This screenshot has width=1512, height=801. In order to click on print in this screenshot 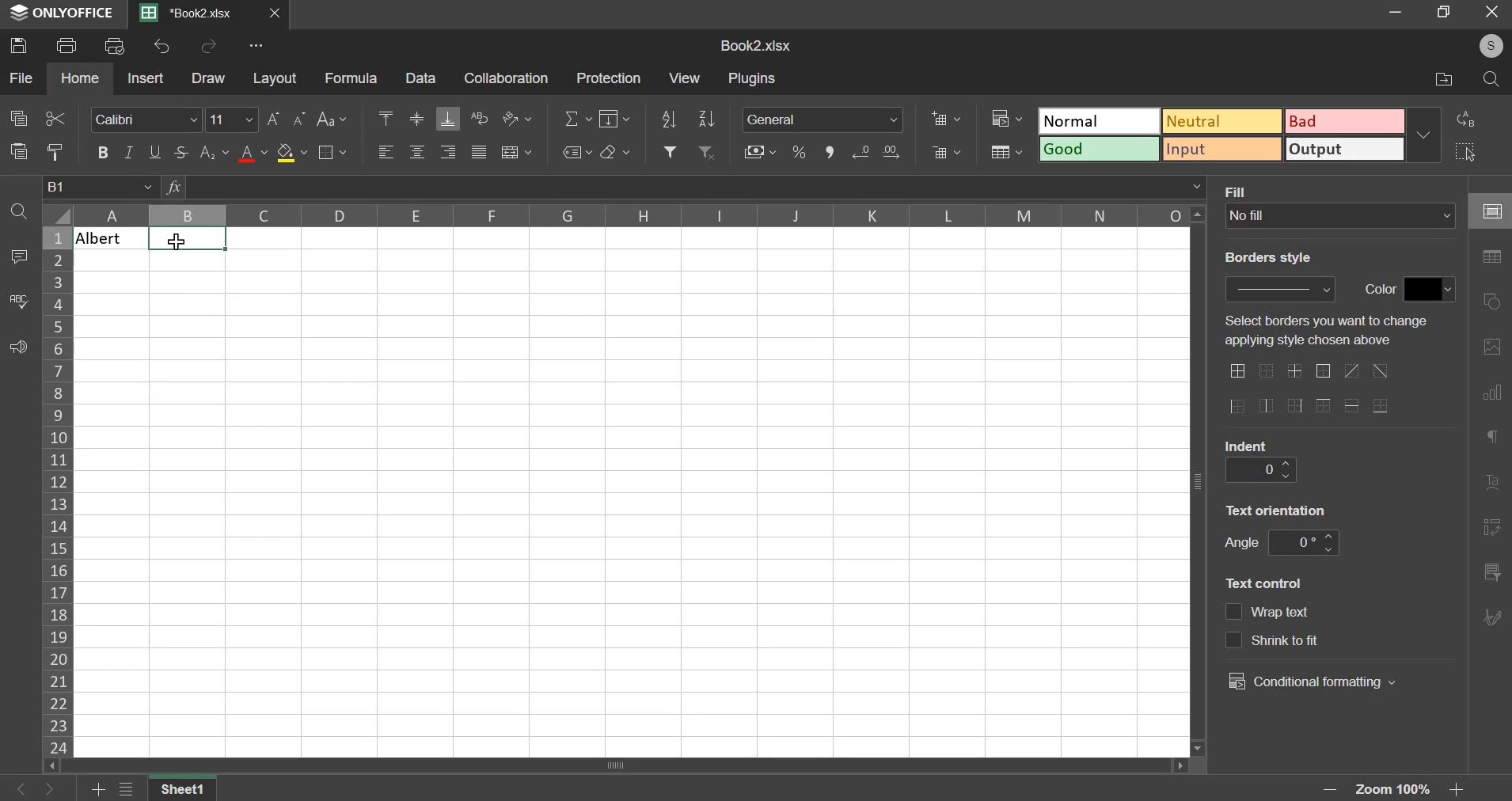, I will do `click(67, 44)`.